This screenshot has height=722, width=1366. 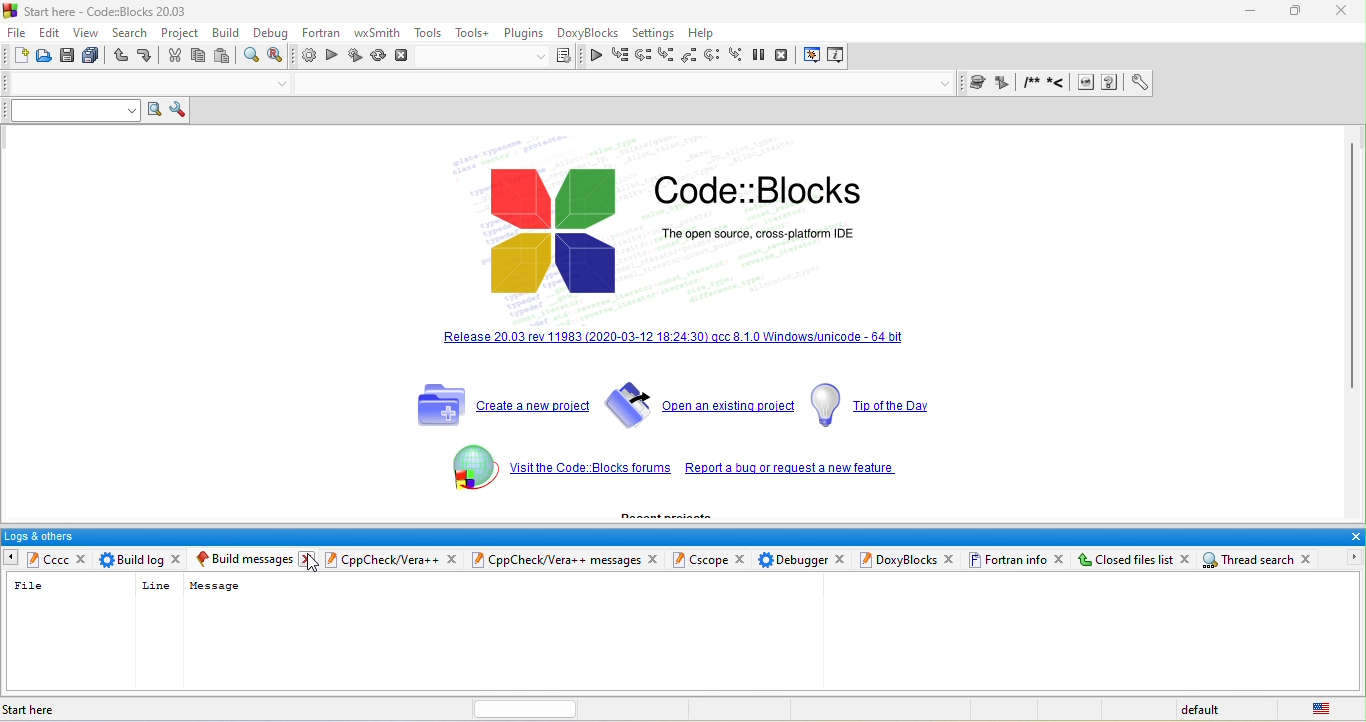 What do you see at coordinates (801, 243) in the screenshot?
I see `the open source, cross-section platform IDE` at bounding box center [801, 243].